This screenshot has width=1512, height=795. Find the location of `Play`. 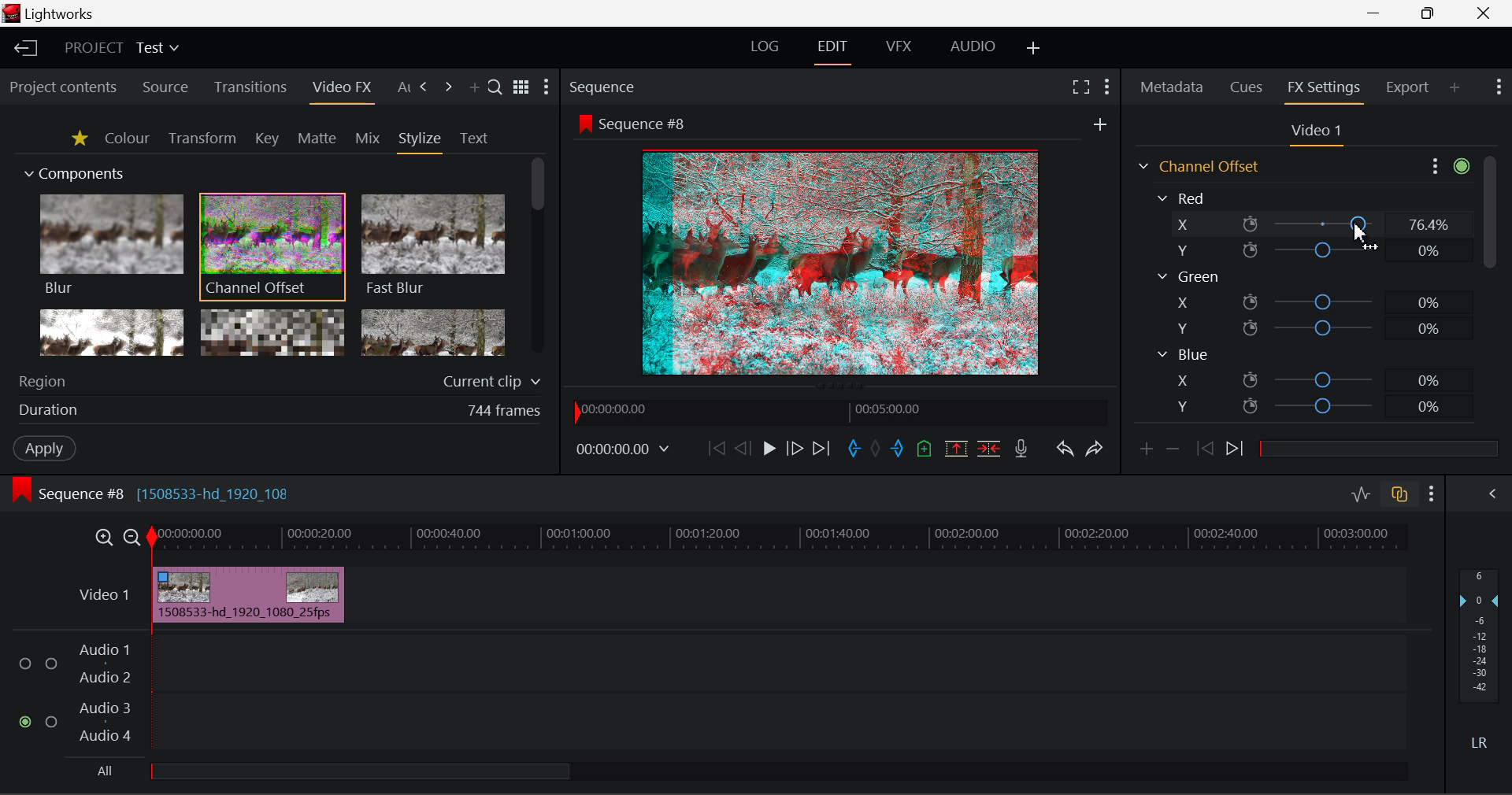

Play is located at coordinates (767, 449).